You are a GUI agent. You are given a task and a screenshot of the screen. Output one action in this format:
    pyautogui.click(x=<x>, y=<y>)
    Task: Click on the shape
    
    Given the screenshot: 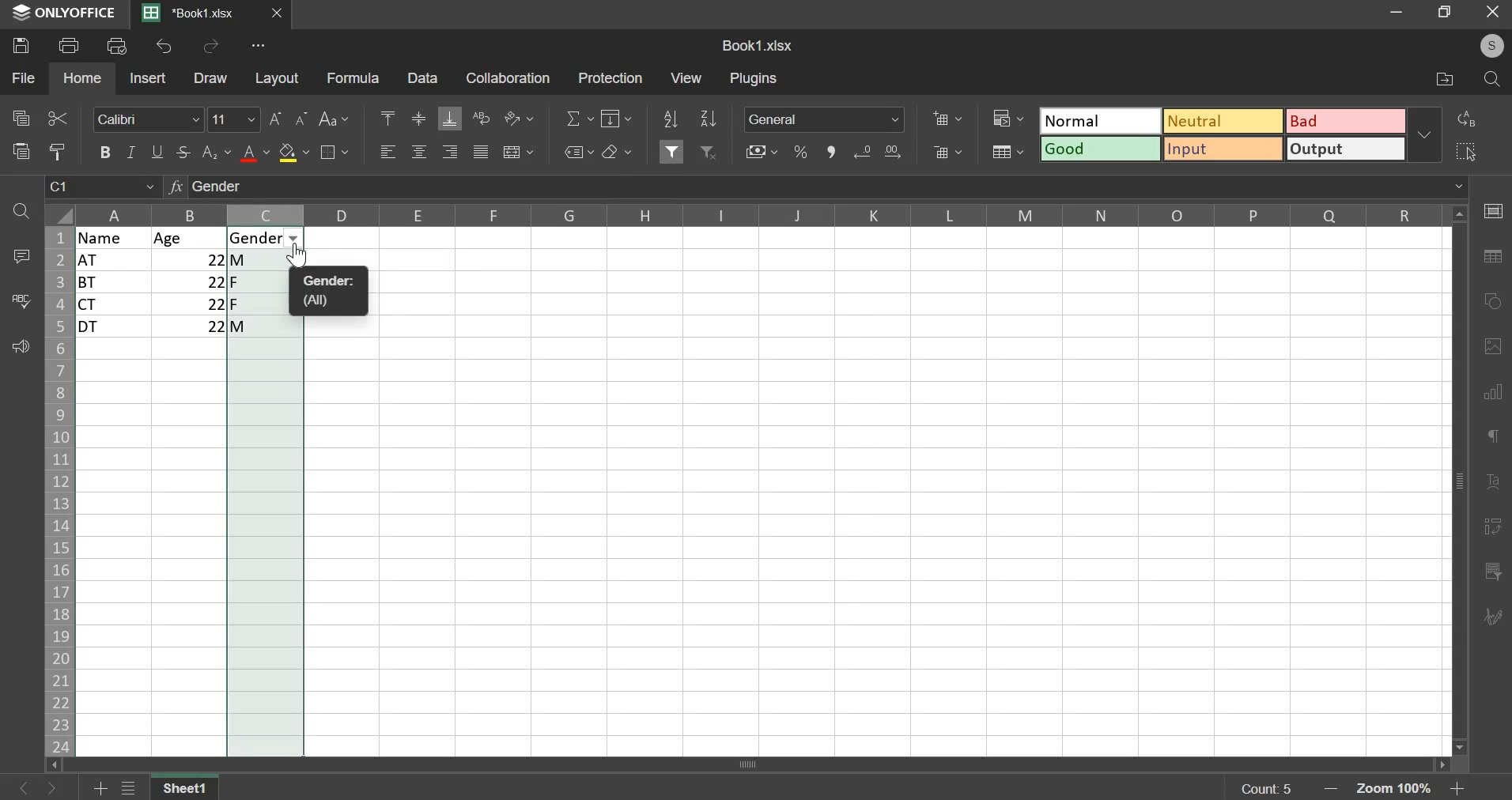 What is the action you would take?
    pyautogui.click(x=1490, y=300)
    